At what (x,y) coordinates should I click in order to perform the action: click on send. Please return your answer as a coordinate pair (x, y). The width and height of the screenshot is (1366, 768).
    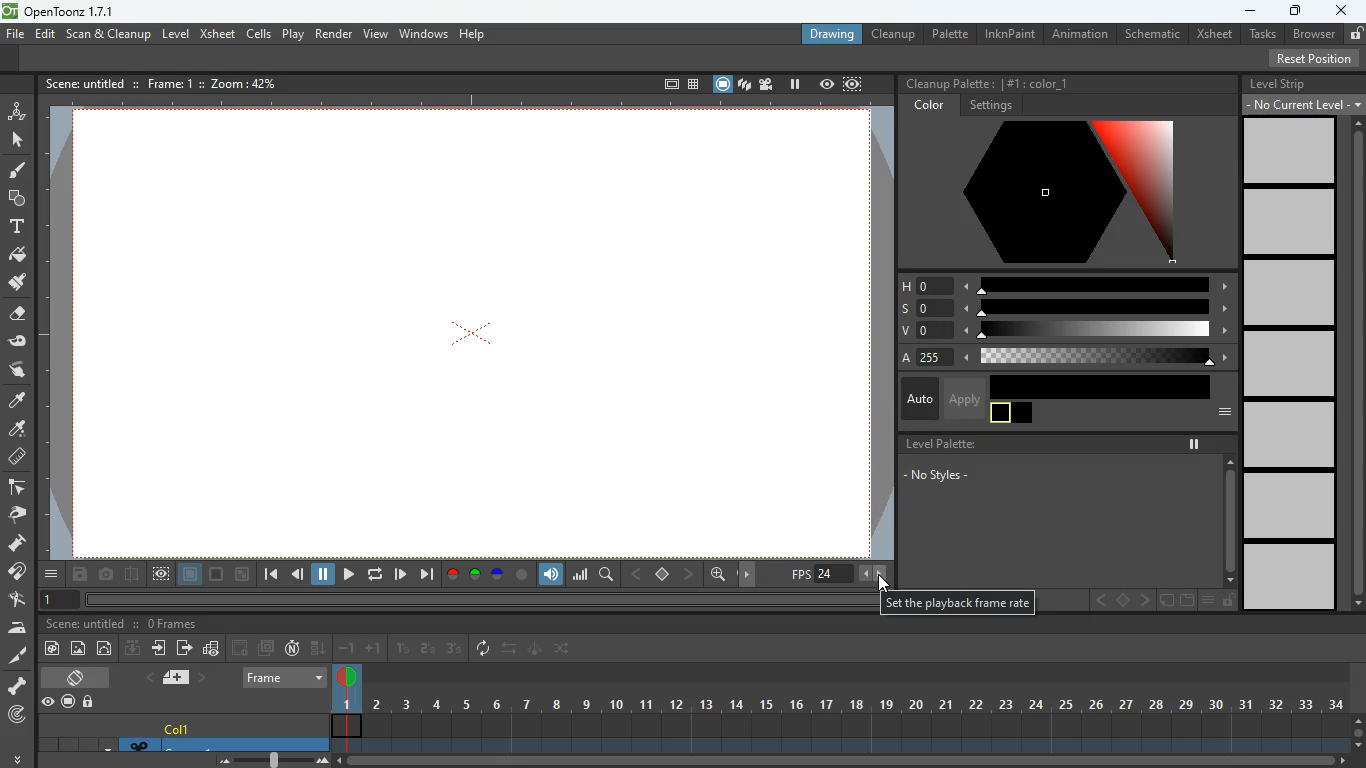
    Looking at the image, I should click on (184, 648).